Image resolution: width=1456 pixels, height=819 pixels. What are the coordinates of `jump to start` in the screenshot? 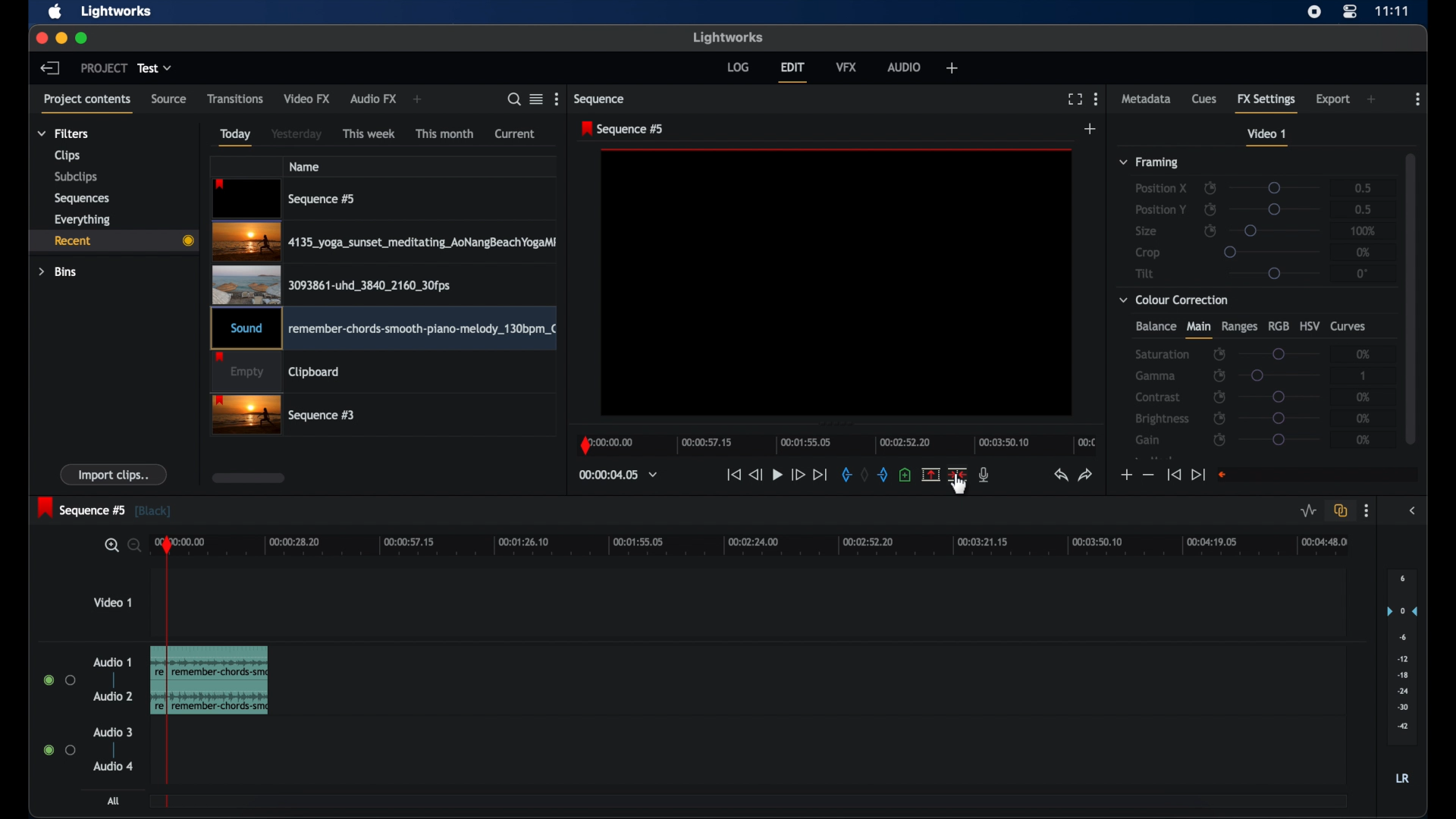 It's located at (1174, 475).